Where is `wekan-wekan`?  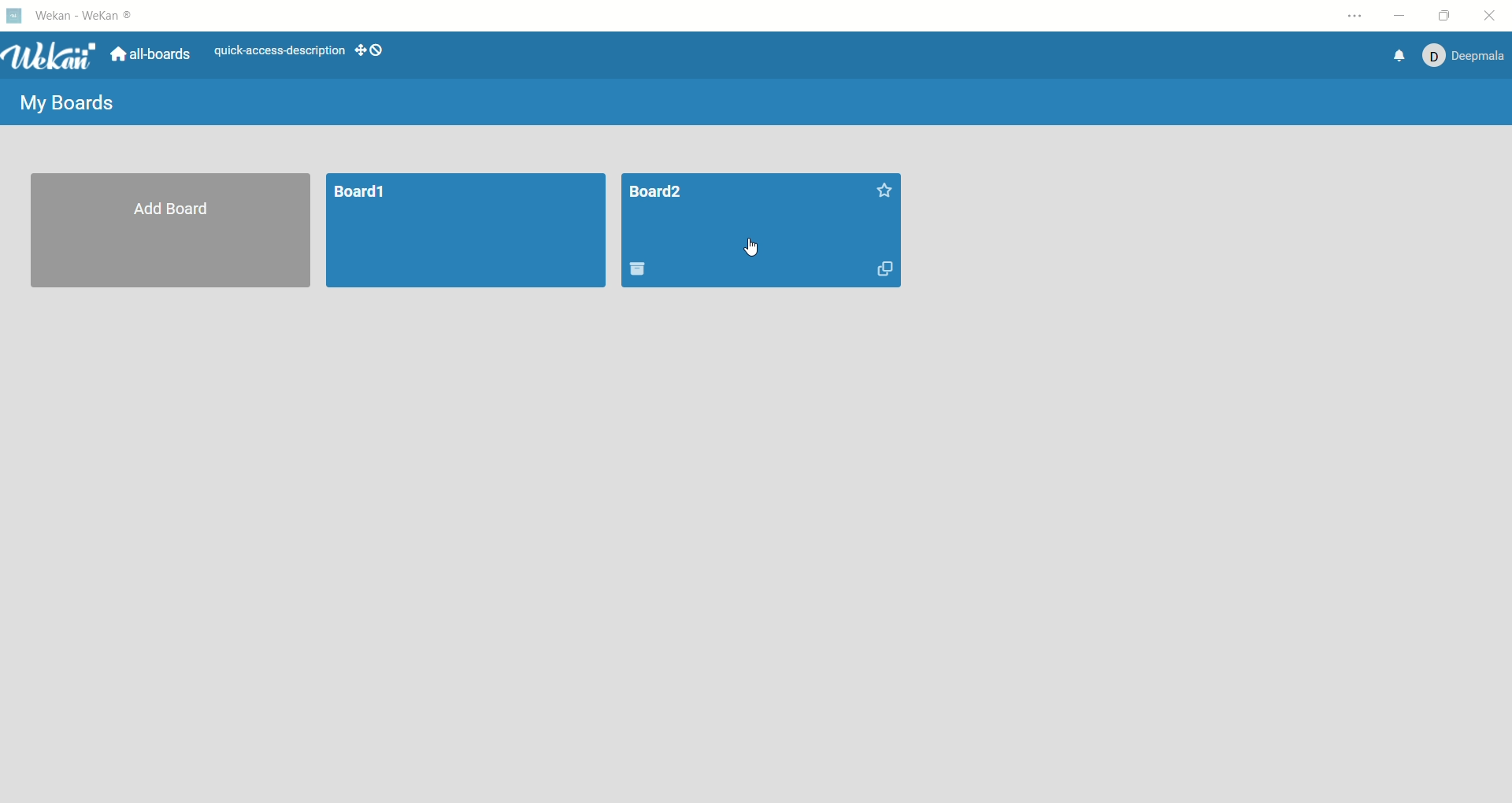
wekan-wekan is located at coordinates (97, 18).